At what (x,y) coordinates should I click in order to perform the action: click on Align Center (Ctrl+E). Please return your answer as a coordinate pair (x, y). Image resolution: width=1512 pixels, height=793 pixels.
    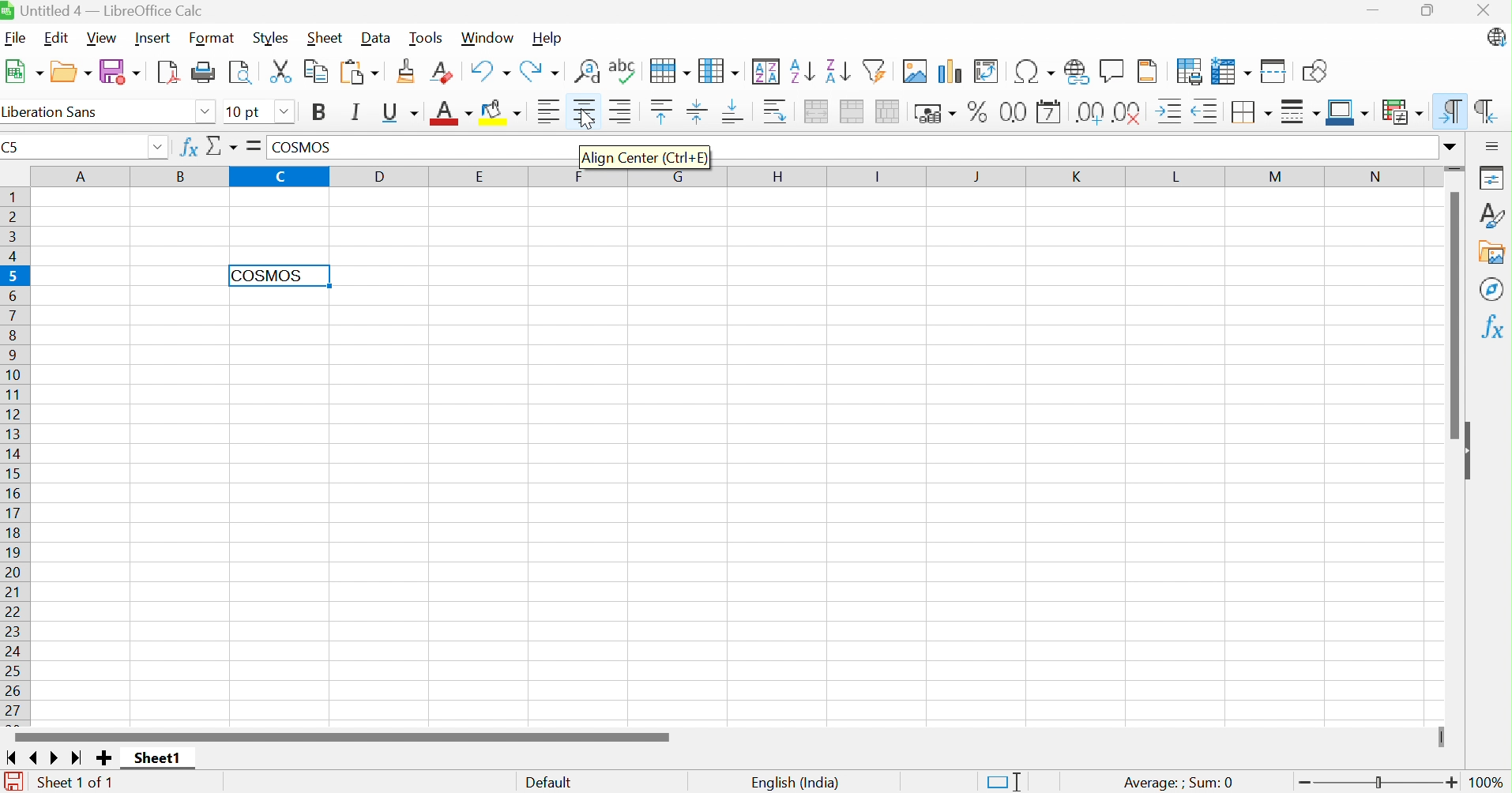
    Looking at the image, I should click on (645, 156).